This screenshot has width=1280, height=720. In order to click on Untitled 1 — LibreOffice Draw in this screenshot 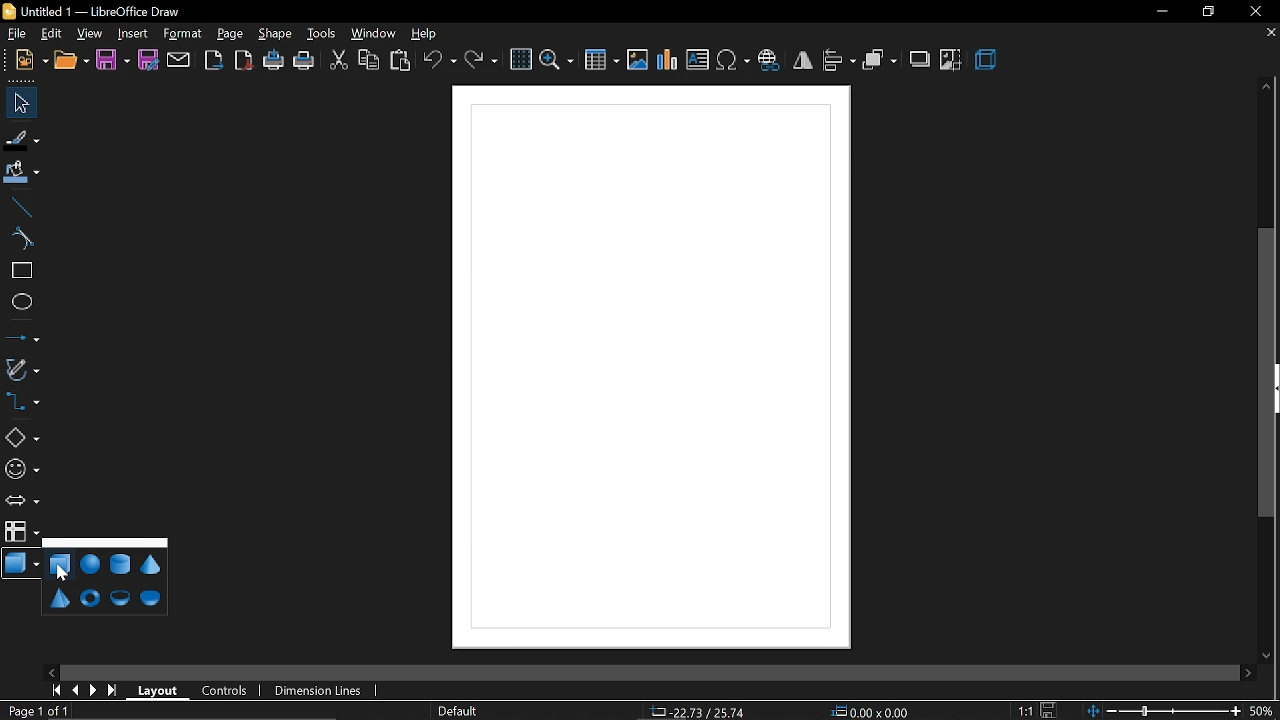, I will do `click(99, 12)`.